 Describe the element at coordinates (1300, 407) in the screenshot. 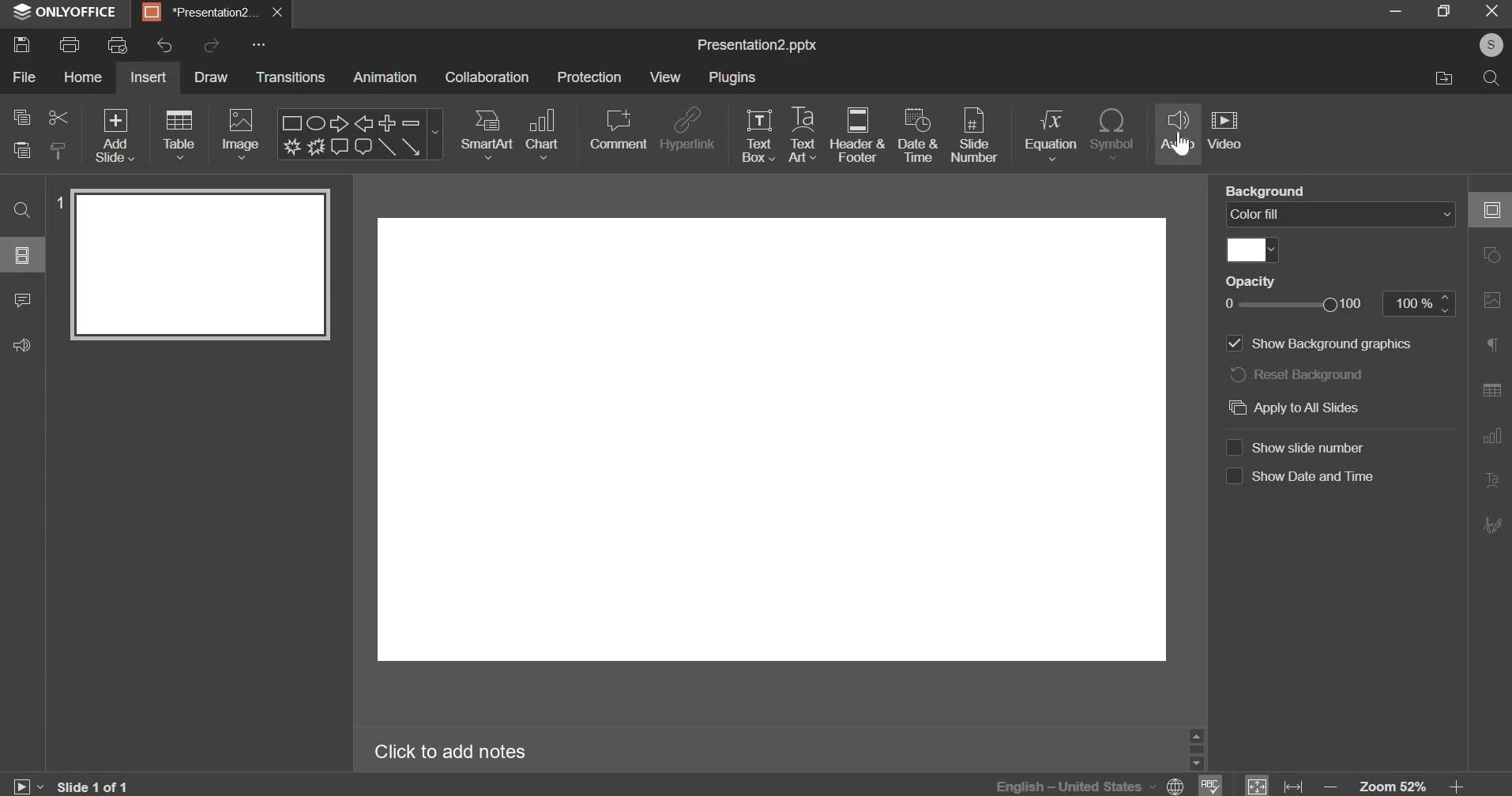

I see `apply to all slides` at that location.